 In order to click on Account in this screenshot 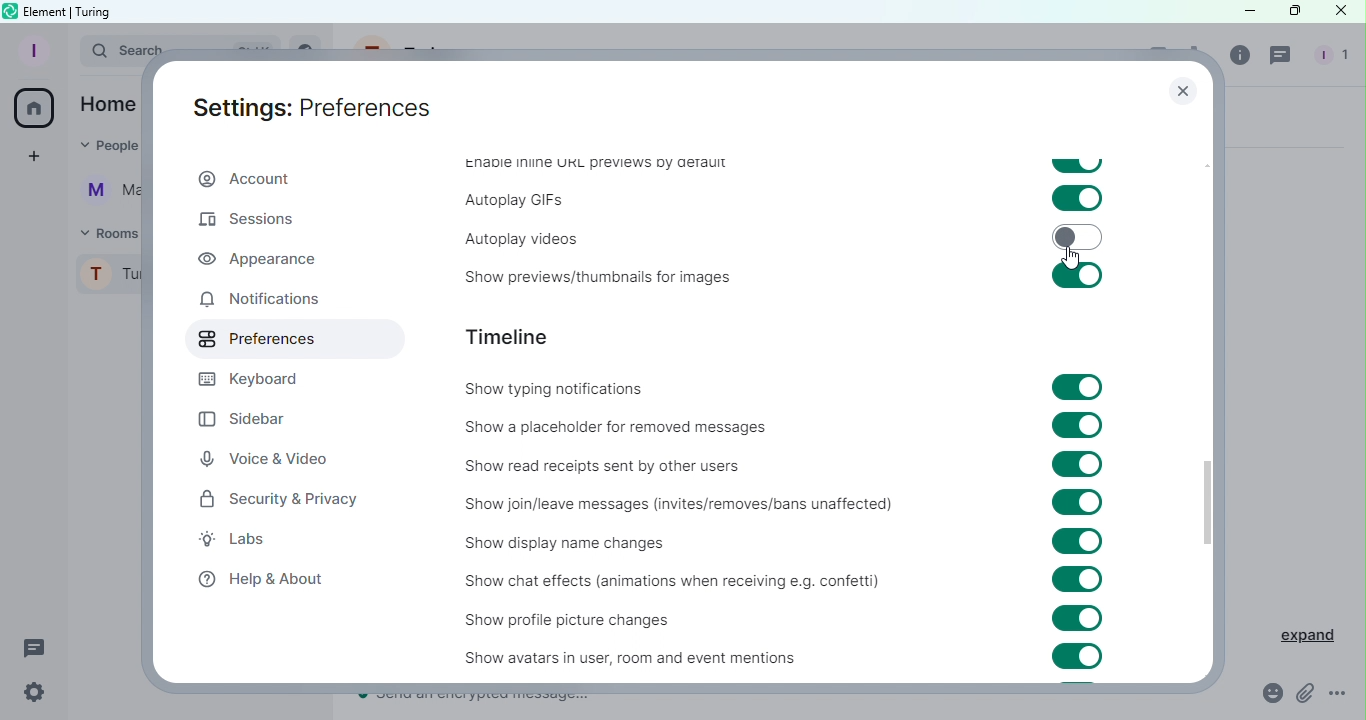, I will do `click(244, 180)`.